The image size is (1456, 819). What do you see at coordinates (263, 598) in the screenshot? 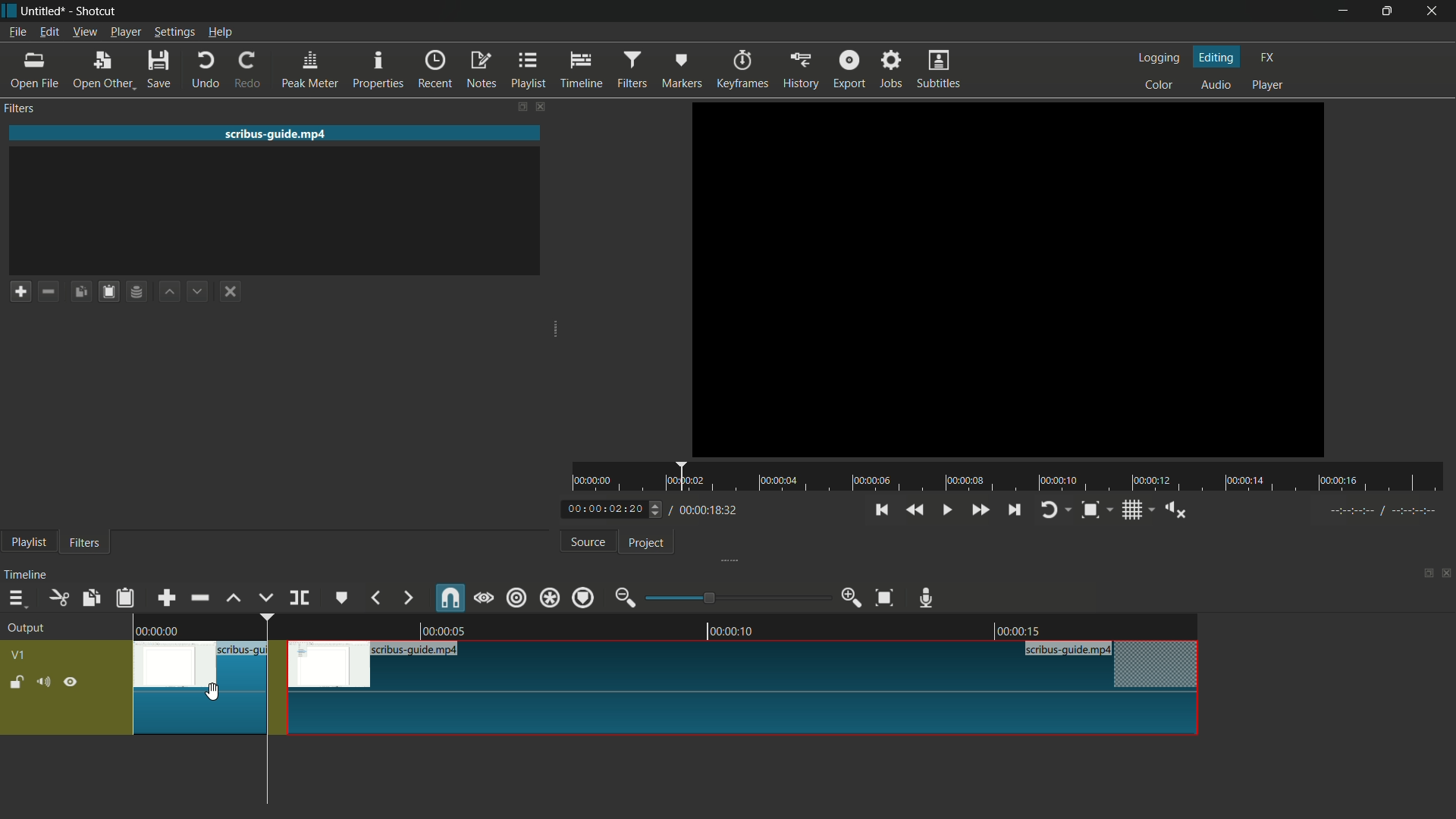
I see `overwrite` at bounding box center [263, 598].